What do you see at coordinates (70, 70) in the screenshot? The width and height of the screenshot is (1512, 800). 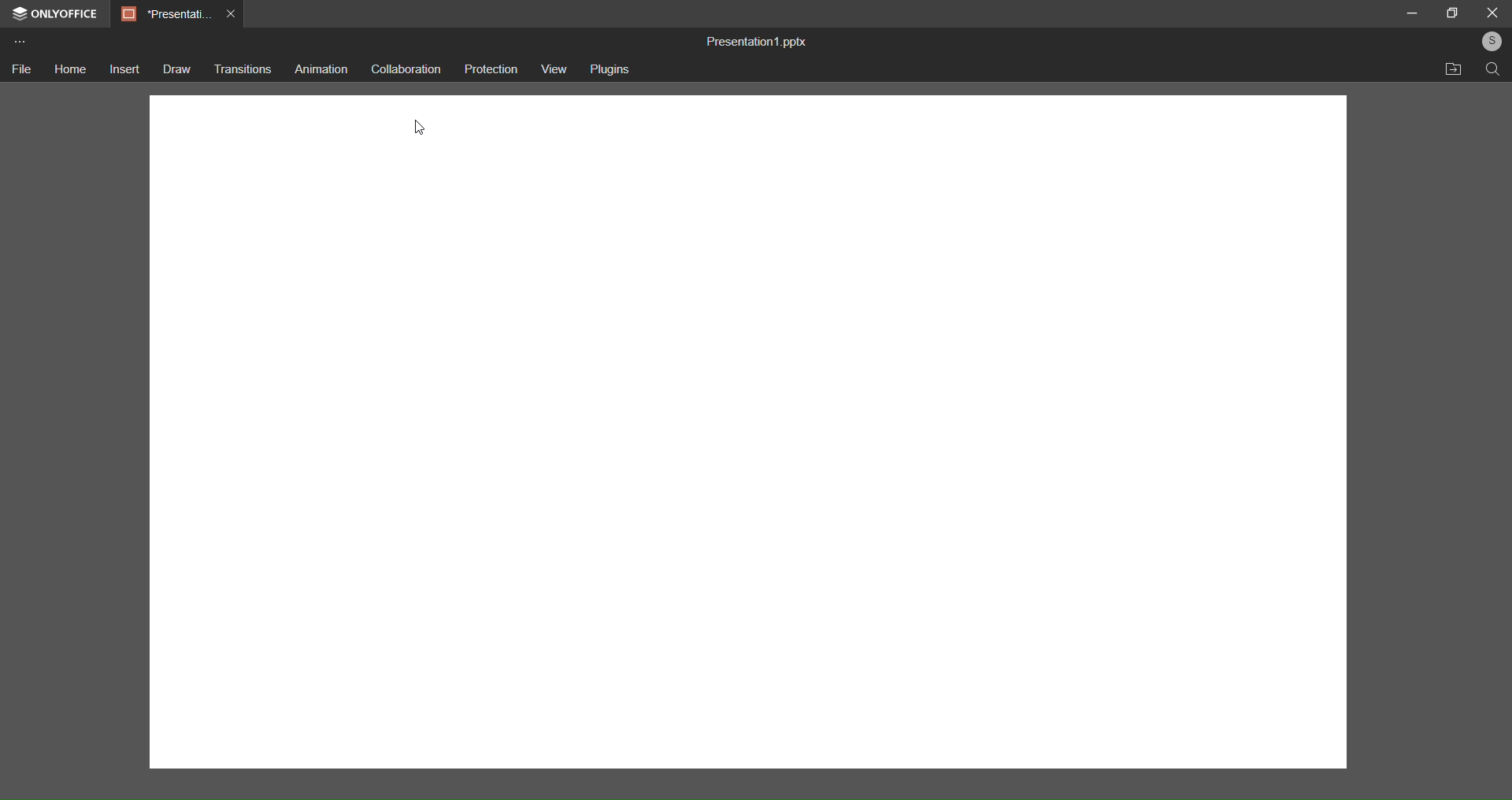 I see `home` at bounding box center [70, 70].